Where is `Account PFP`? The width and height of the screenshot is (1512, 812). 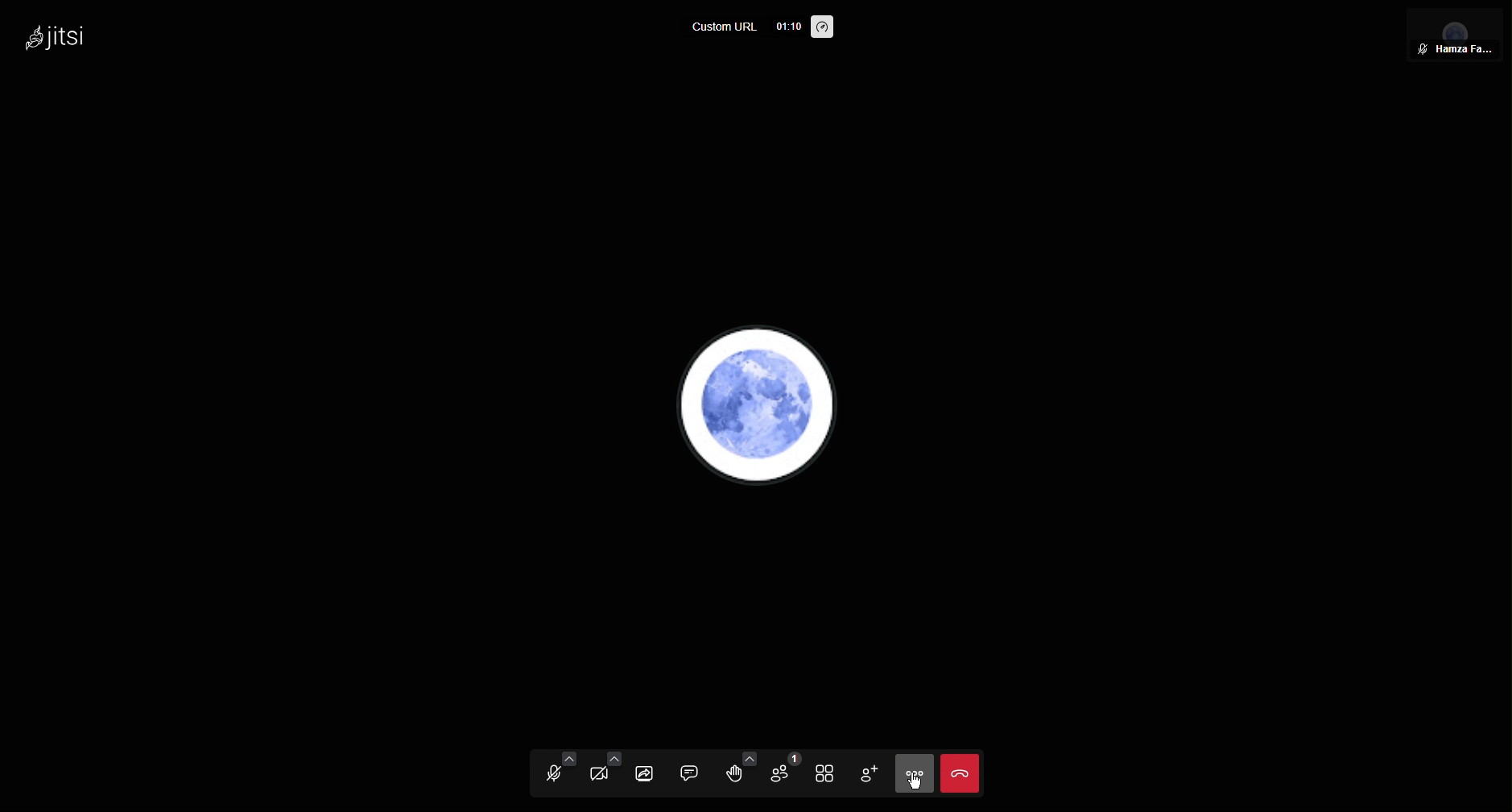 Account PFP is located at coordinates (758, 407).